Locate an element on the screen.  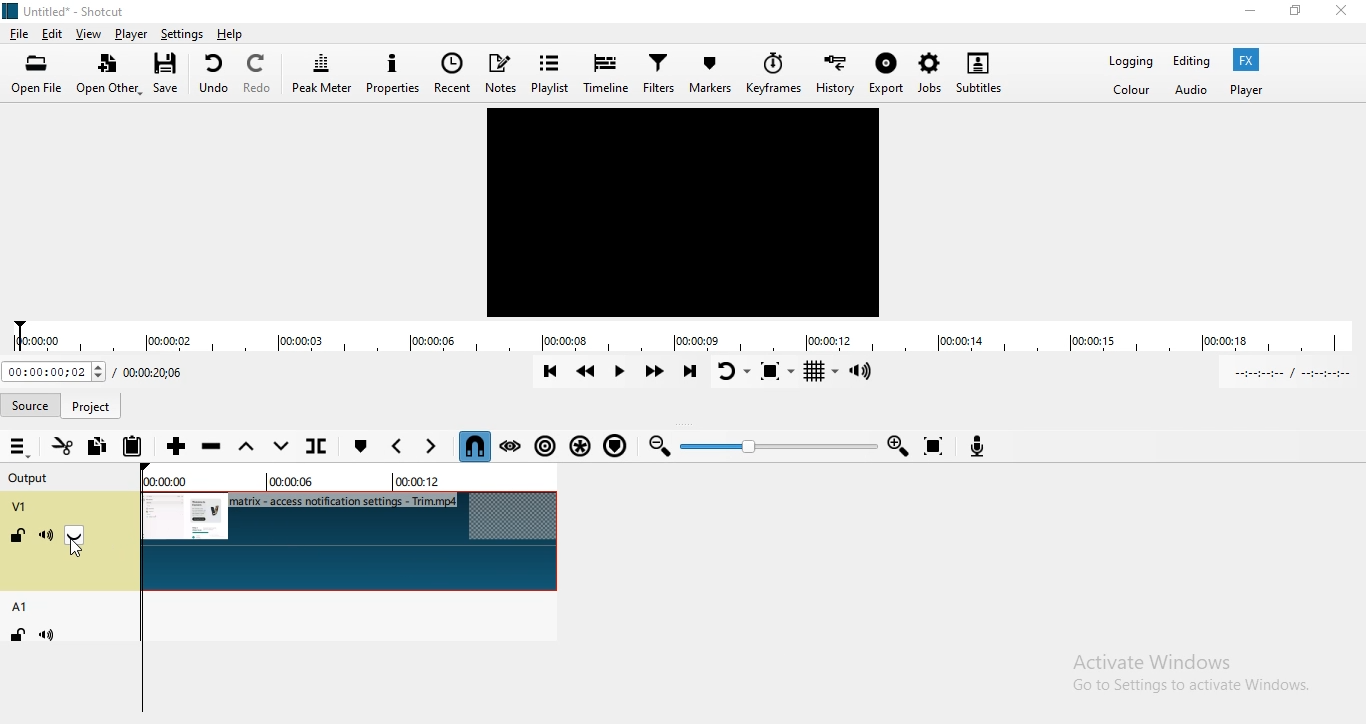
Settings is located at coordinates (182, 34).